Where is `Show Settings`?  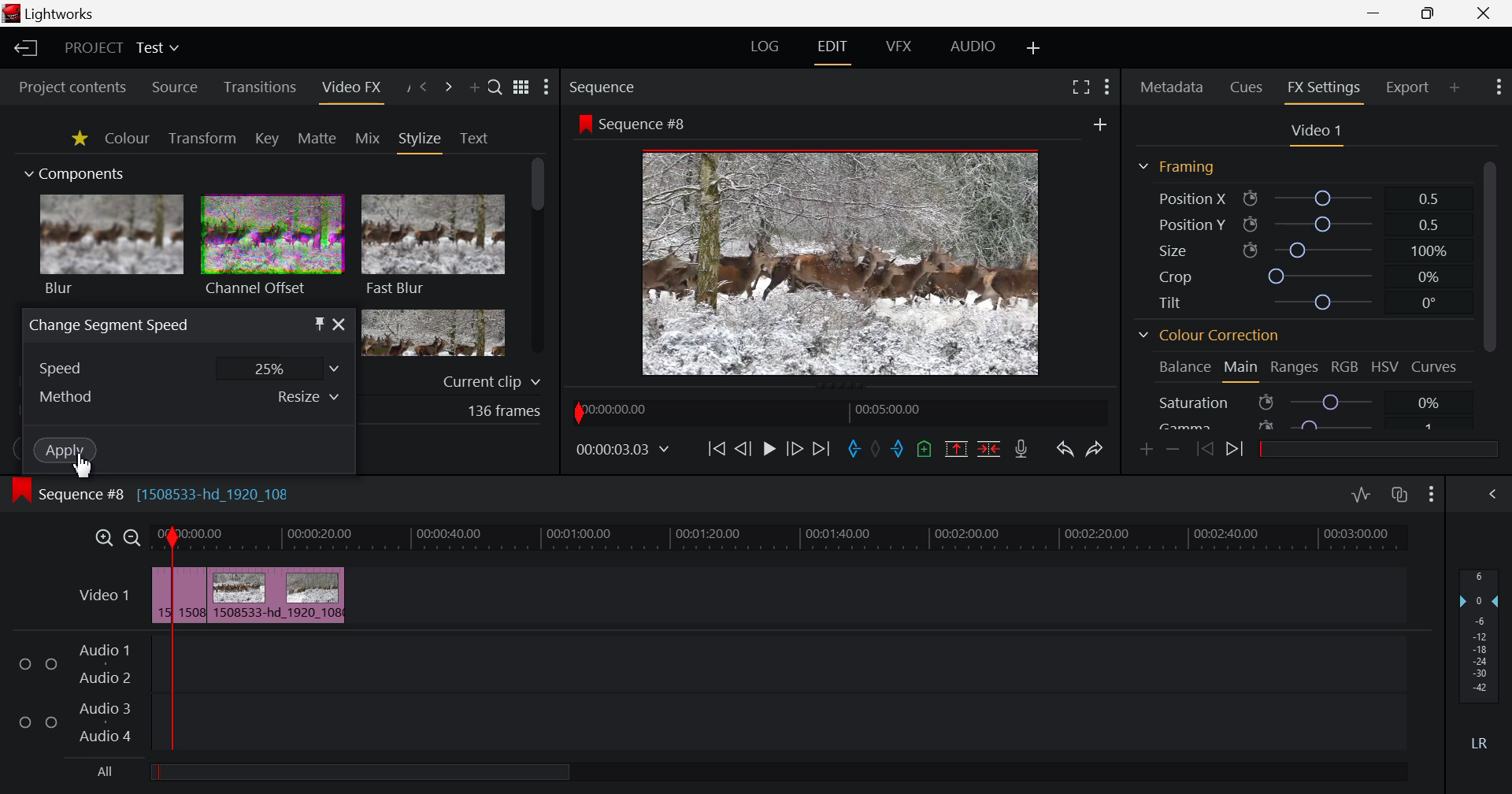
Show Settings is located at coordinates (1432, 496).